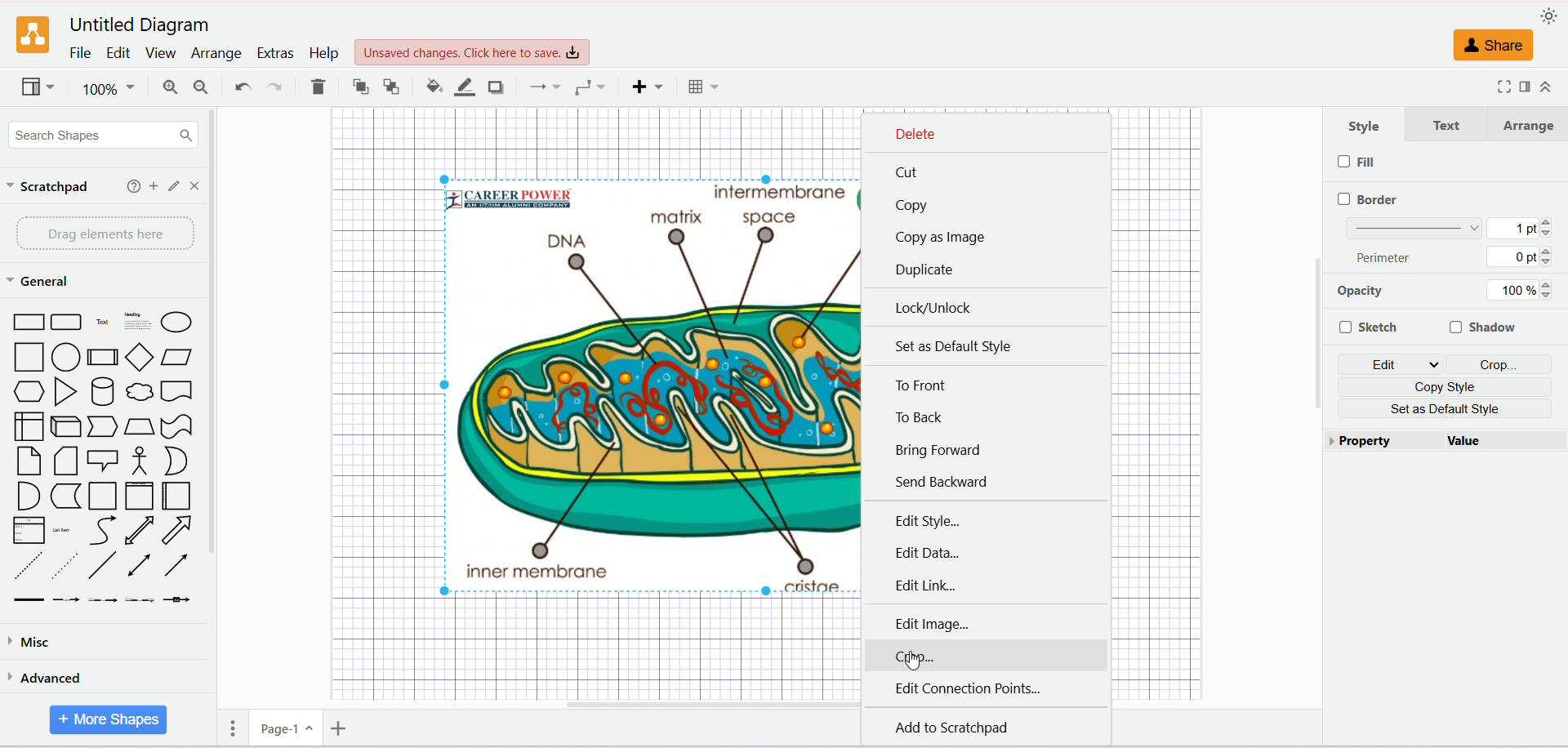 This screenshot has width=1568, height=748. Describe the element at coordinates (29, 496) in the screenshot. I see `And` at that location.